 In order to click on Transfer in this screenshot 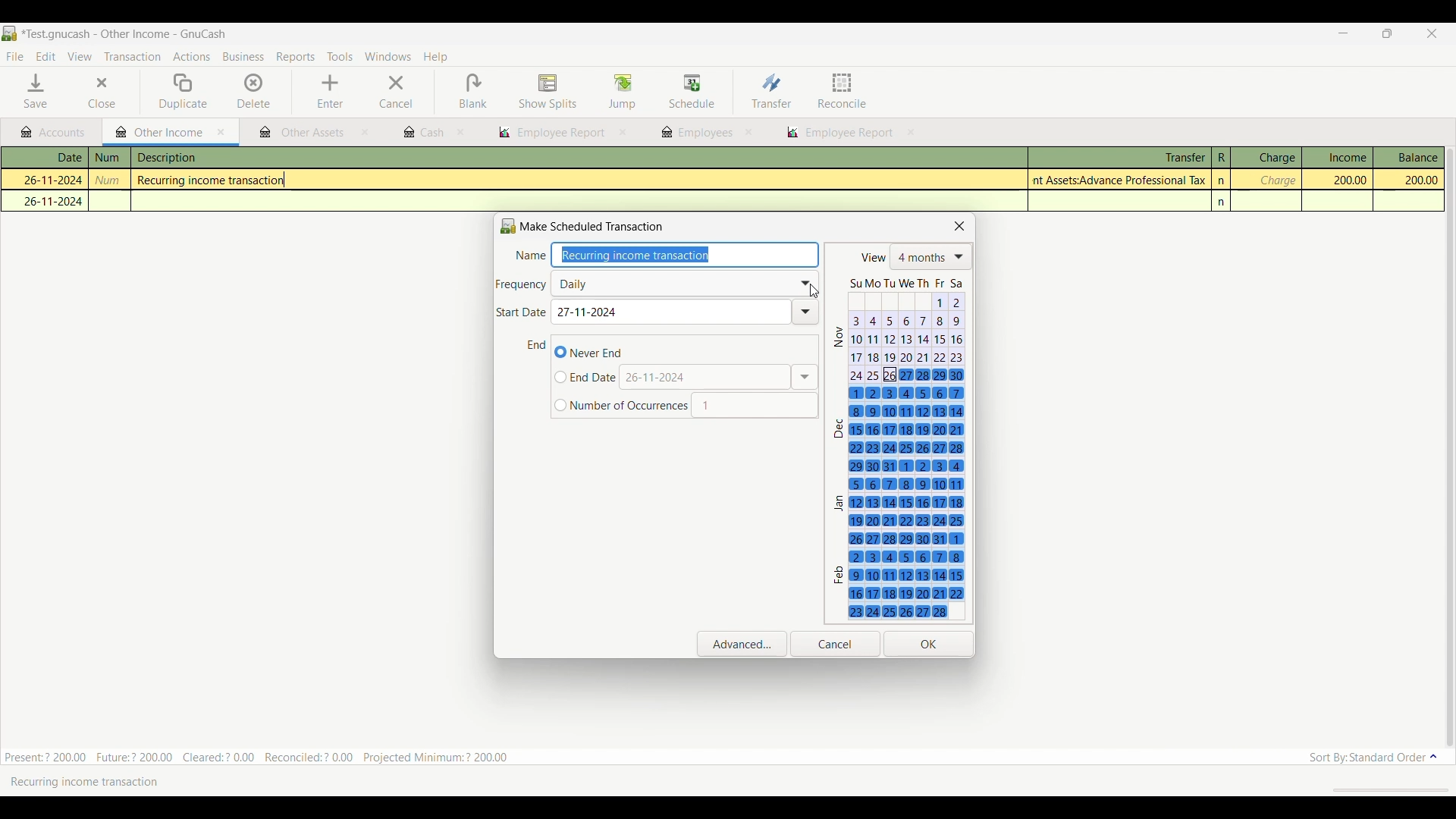, I will do `click(771, 90)`.